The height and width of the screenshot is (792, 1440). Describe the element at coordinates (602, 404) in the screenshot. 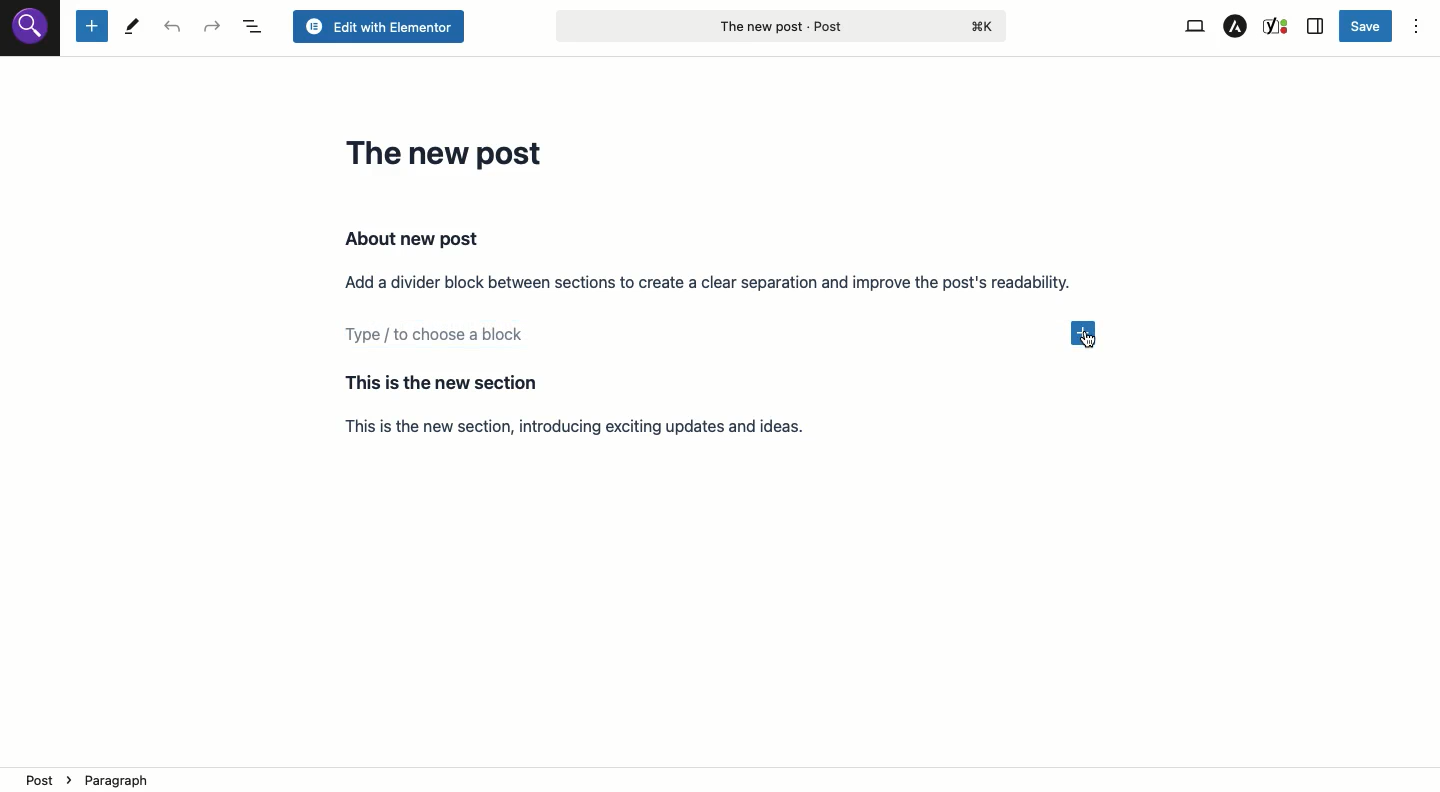

I see `Section 2` at that location.